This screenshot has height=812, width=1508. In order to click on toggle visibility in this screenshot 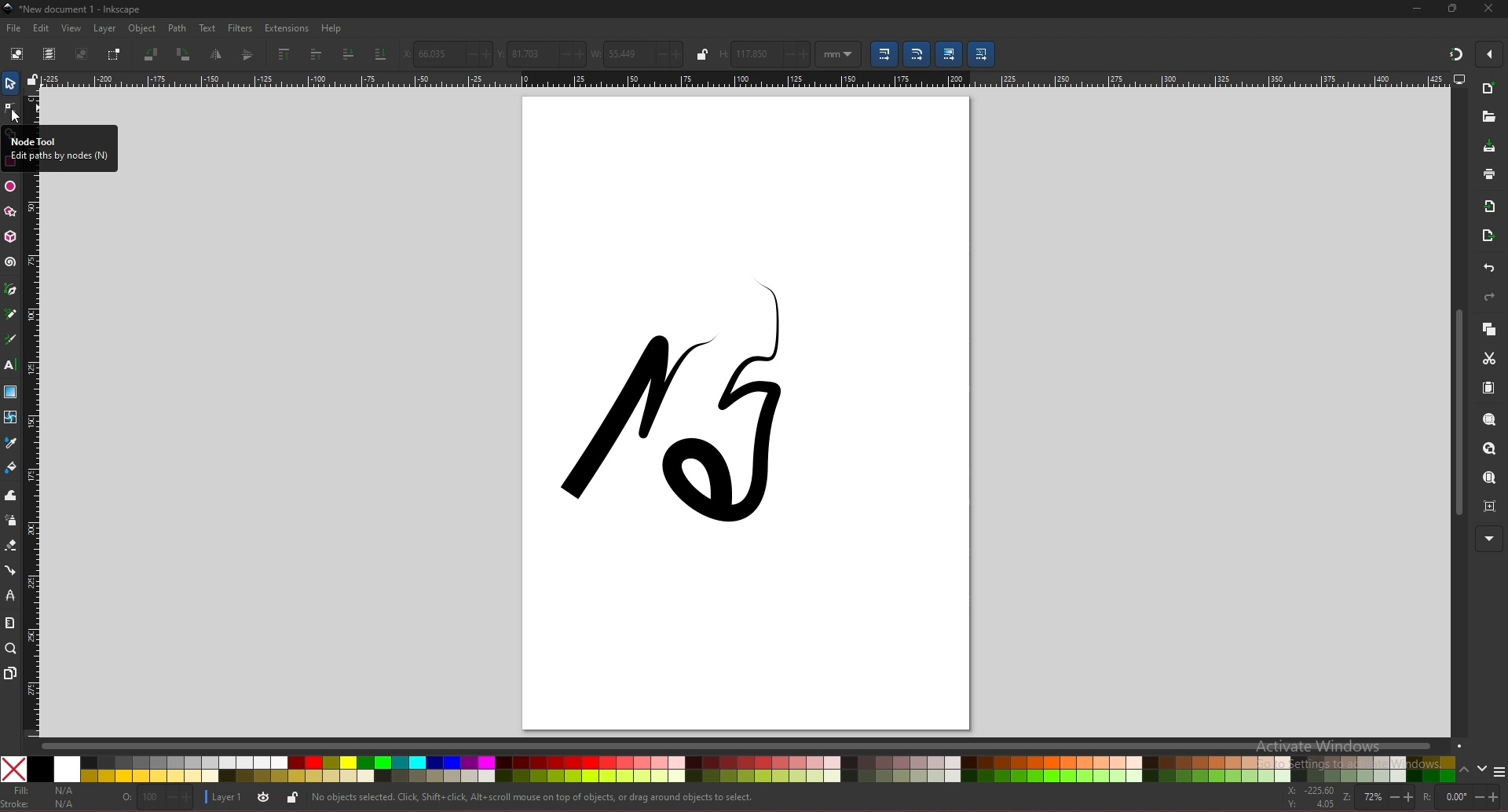, I will do `click(265, 796)`.